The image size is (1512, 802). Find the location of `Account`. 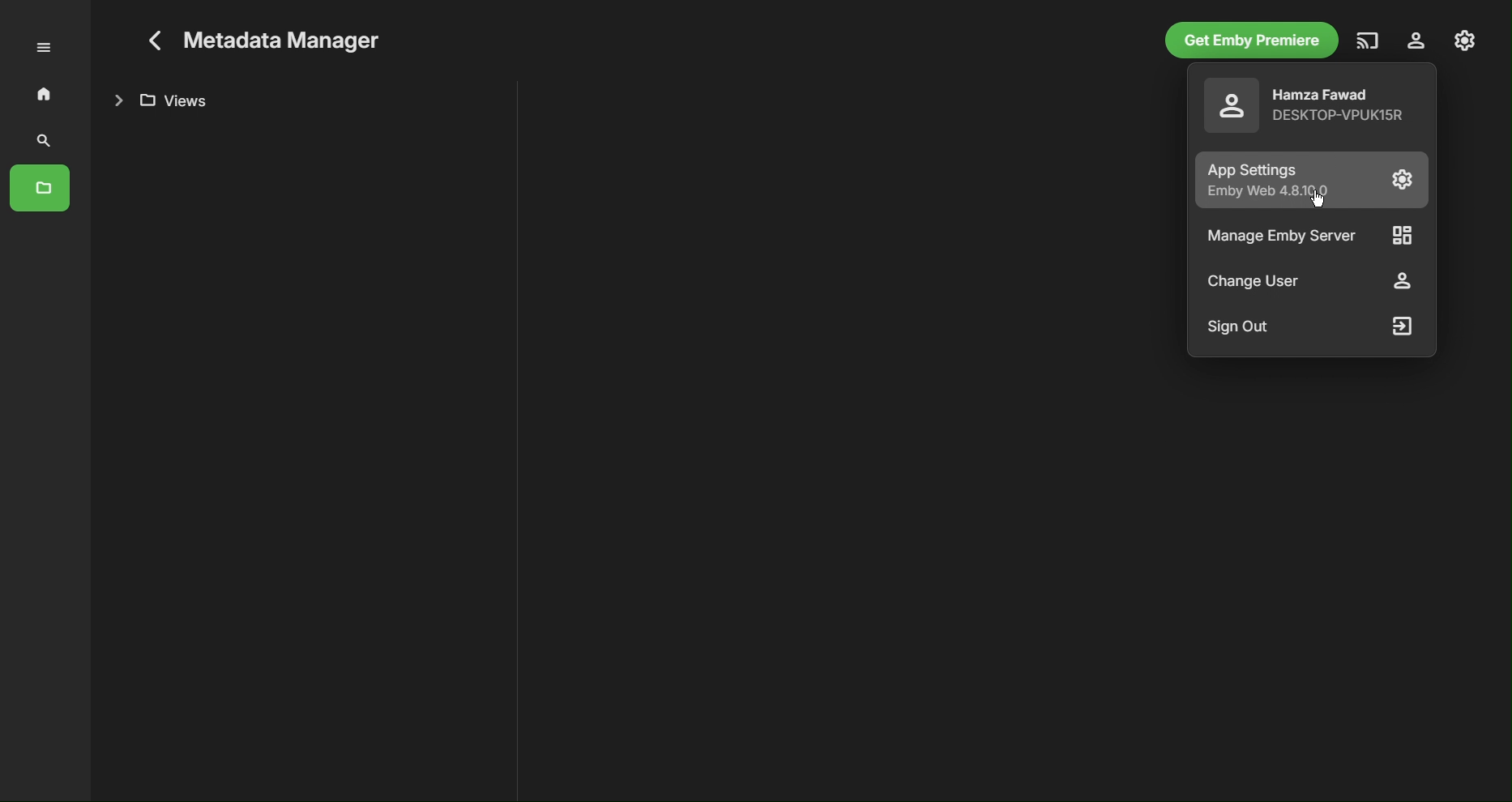

Account is located at coordinates (1419, 41).